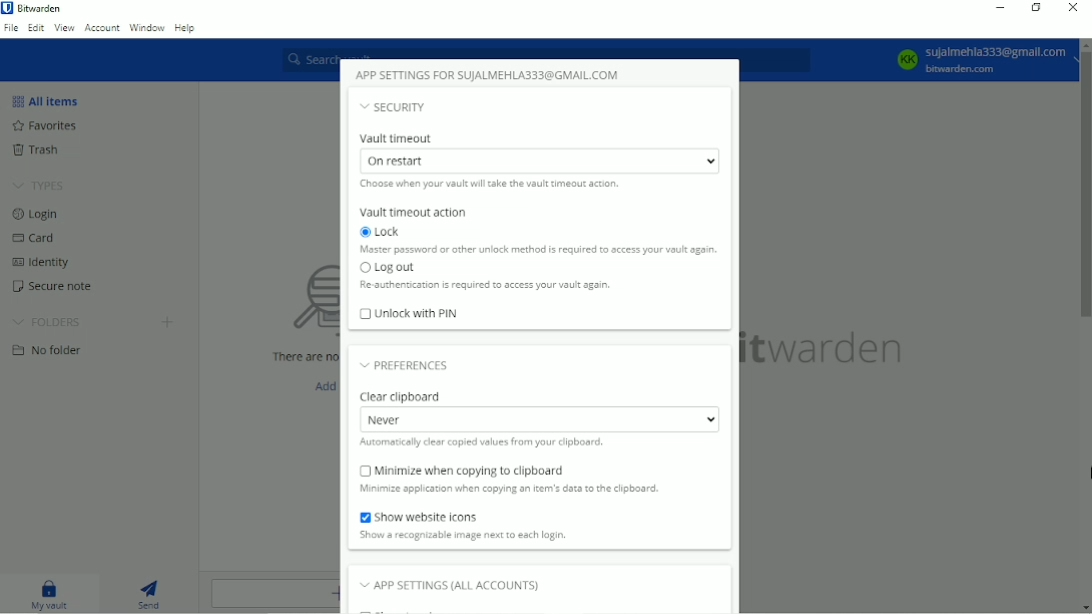  I want to click on App settings (all accounts), so click(449, 587).